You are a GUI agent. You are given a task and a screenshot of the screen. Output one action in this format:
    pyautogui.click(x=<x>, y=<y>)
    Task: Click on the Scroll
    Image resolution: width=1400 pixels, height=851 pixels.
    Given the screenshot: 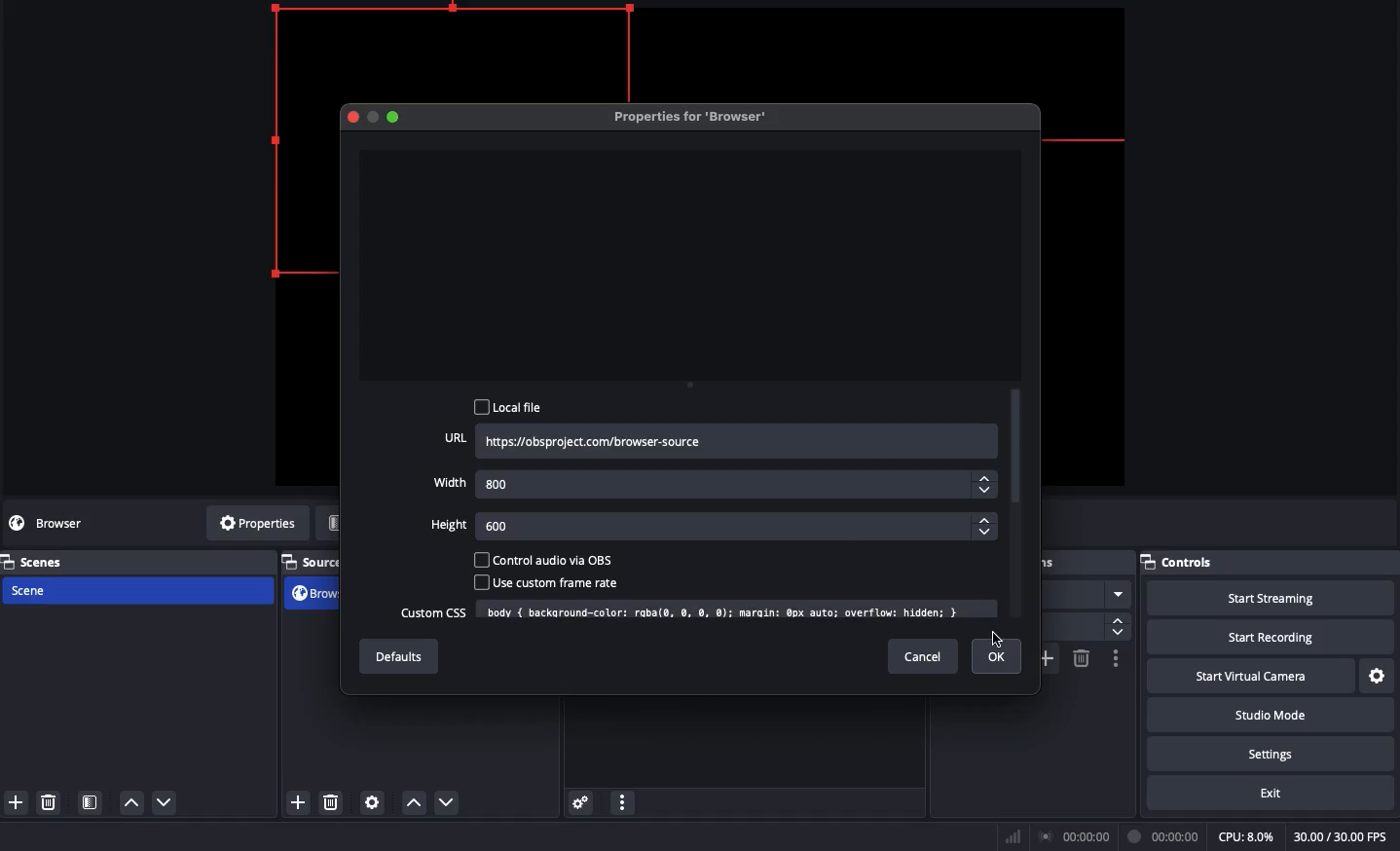 What is the action you would take?
    pyautogui.click(x=1016, y=503)
    